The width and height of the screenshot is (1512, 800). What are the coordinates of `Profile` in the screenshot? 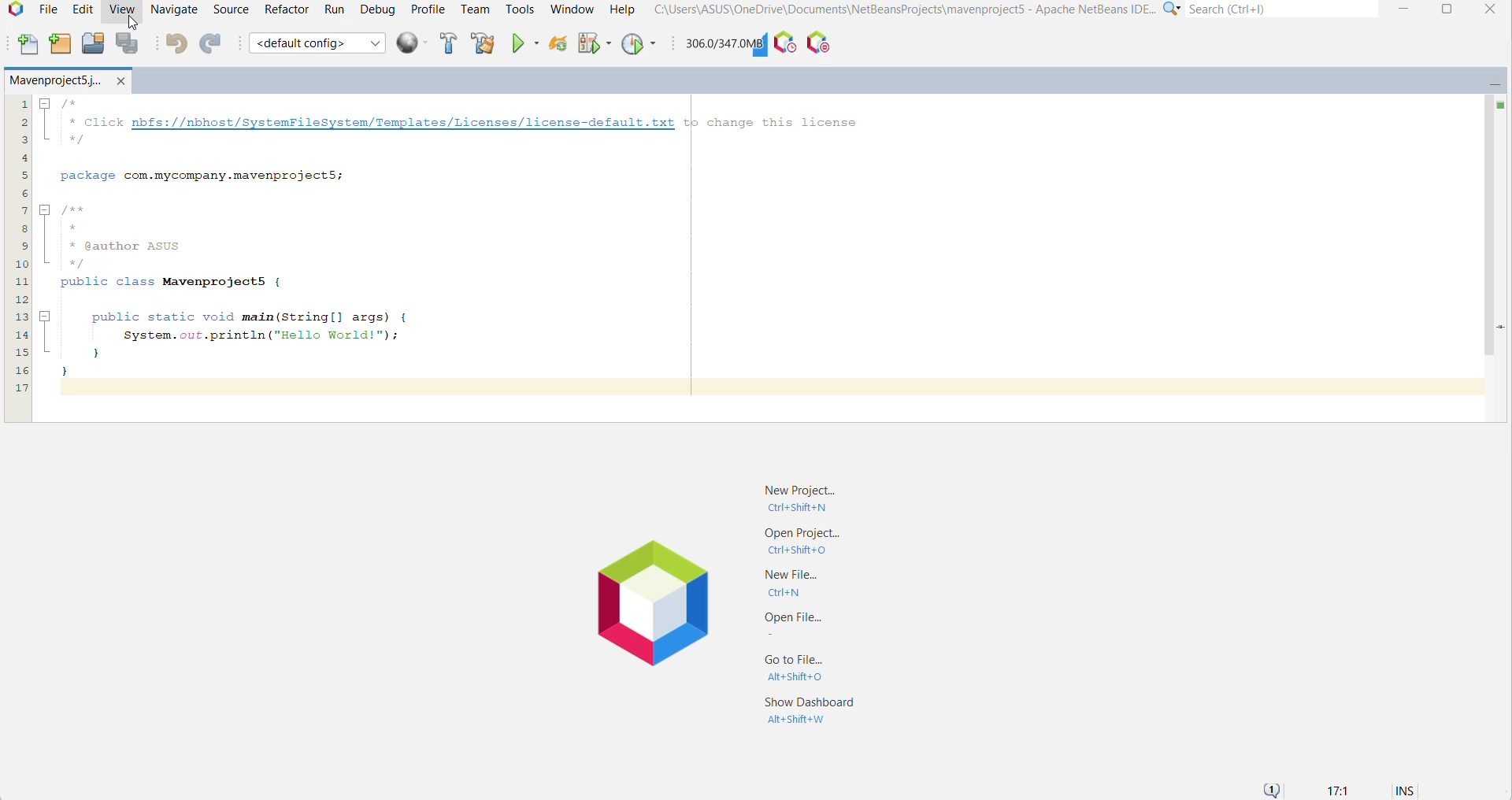 It's located at (428, 9).